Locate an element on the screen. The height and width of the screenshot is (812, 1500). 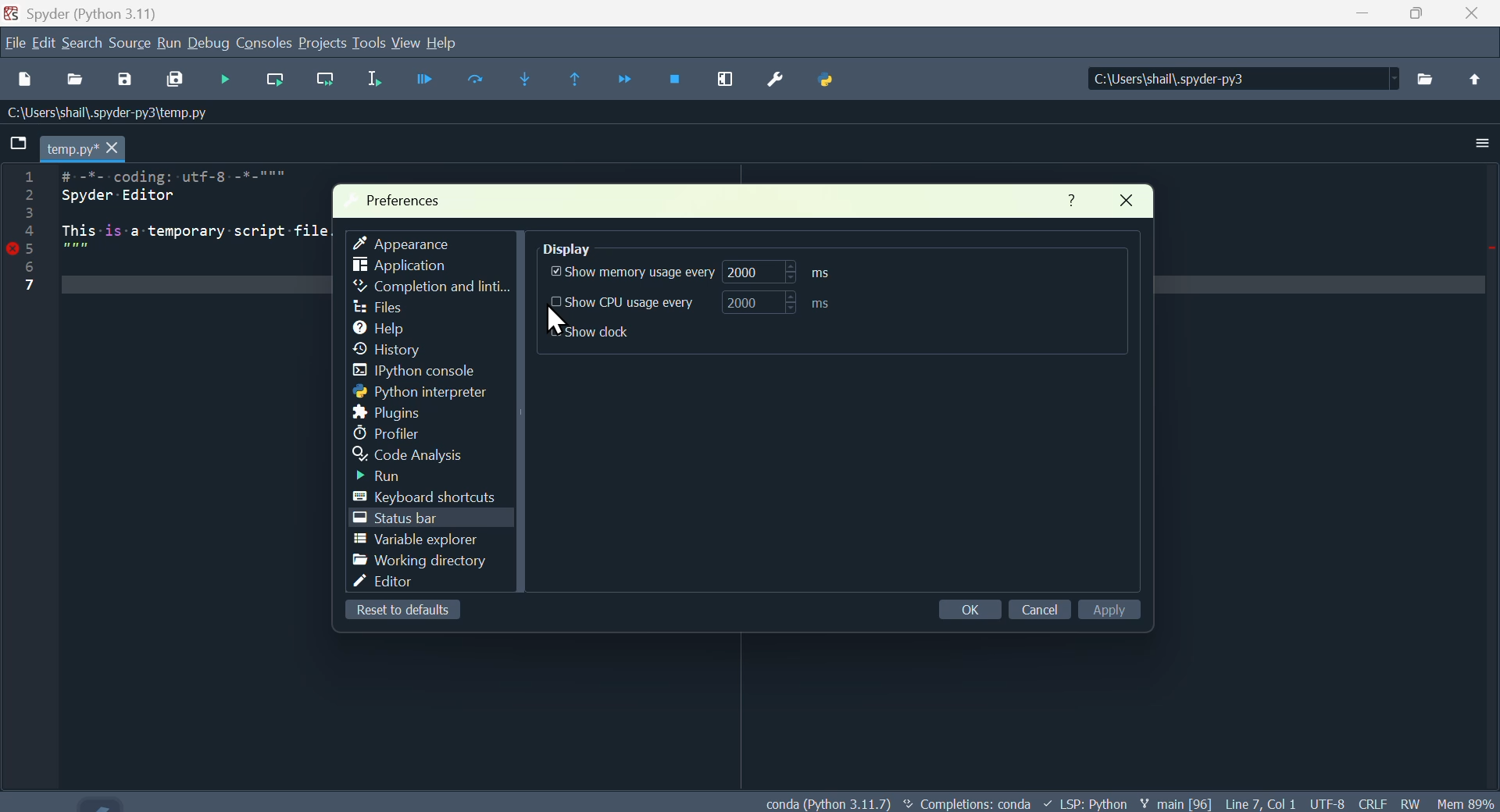
history is located at coordinates (400, 350).